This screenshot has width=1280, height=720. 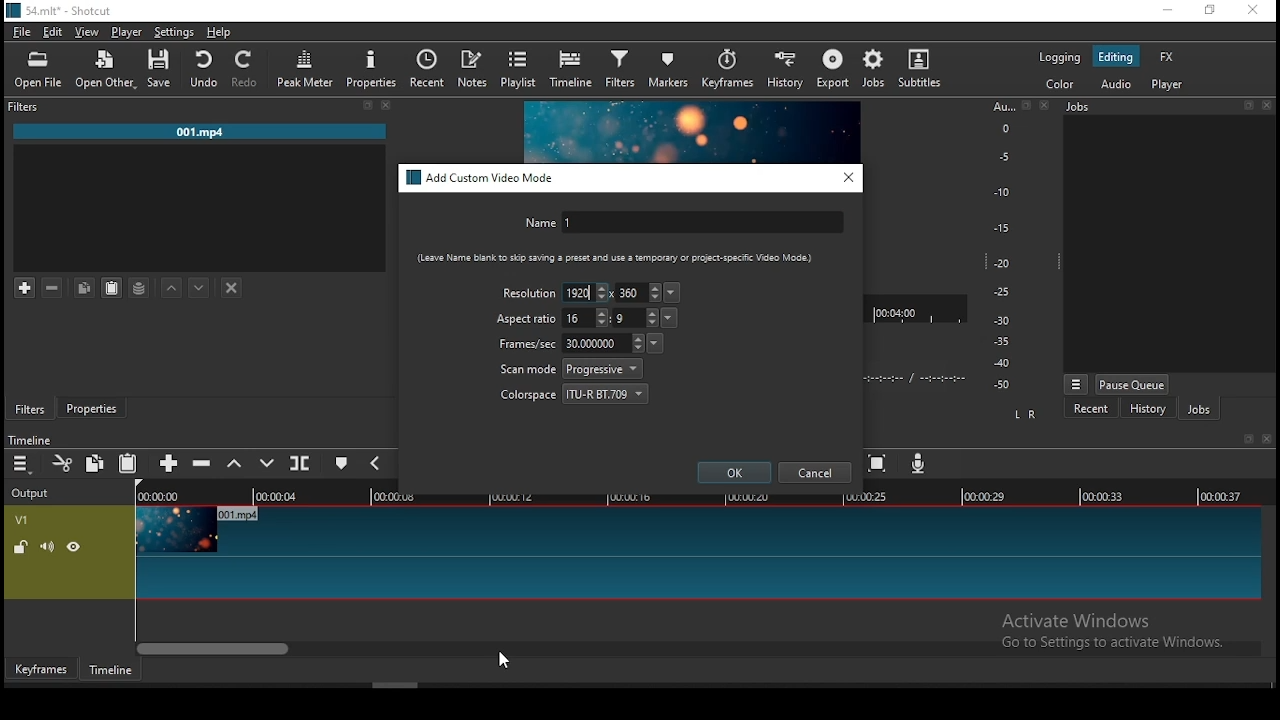 I want to click on scan mode, so click(x=571, y=369).